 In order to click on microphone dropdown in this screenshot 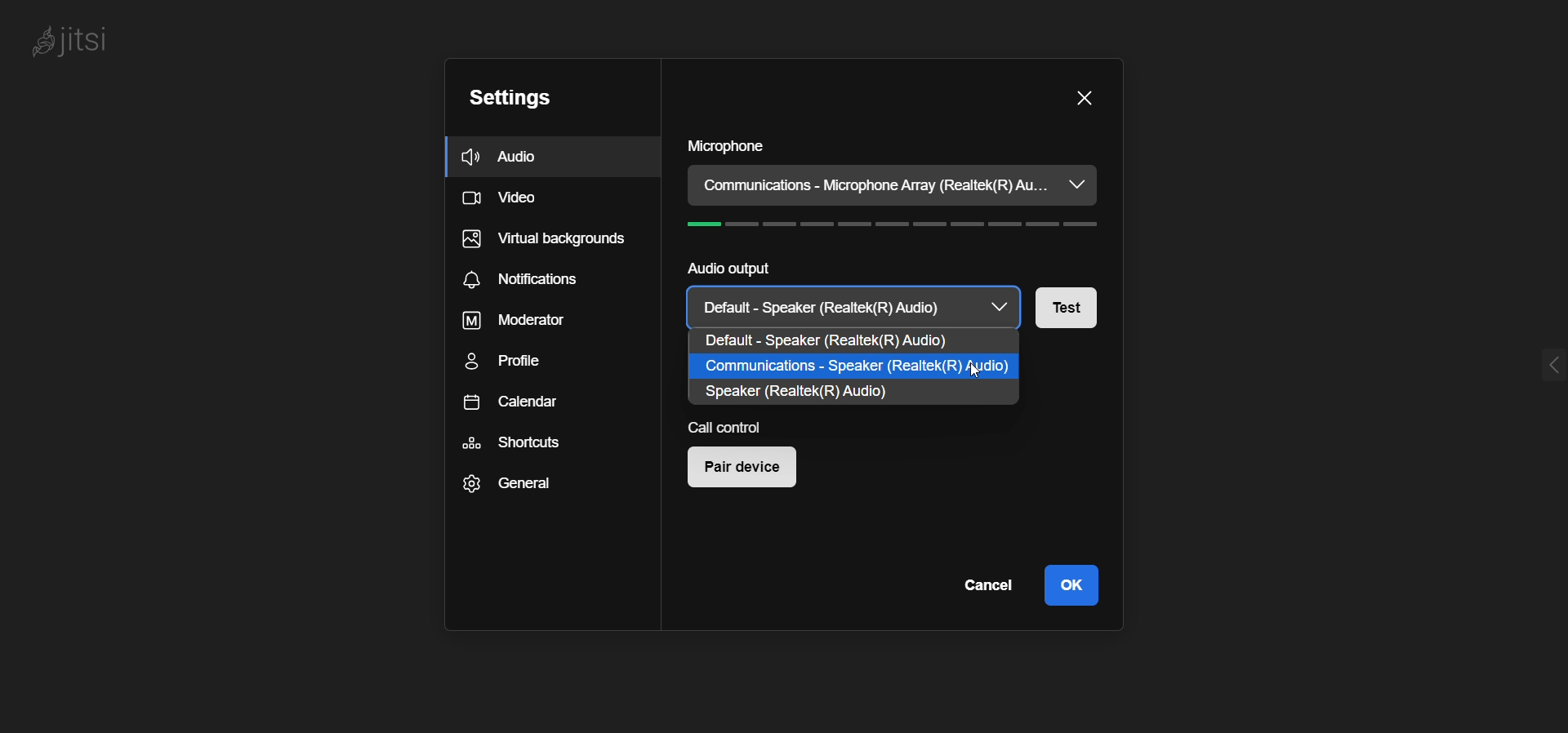, I will do `click(1076, 184)`.